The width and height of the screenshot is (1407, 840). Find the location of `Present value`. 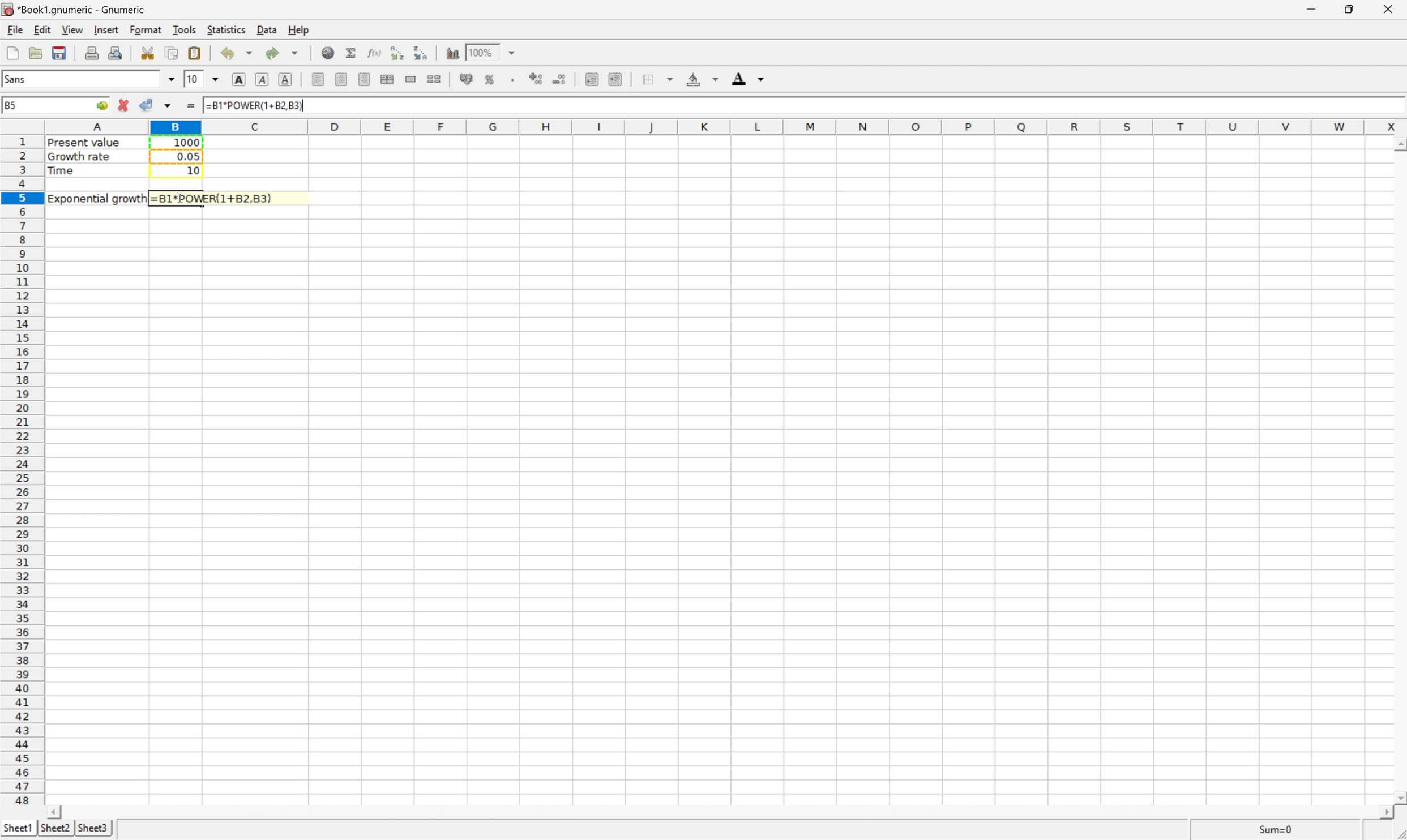

Present value is located at coordinates (86, 144).